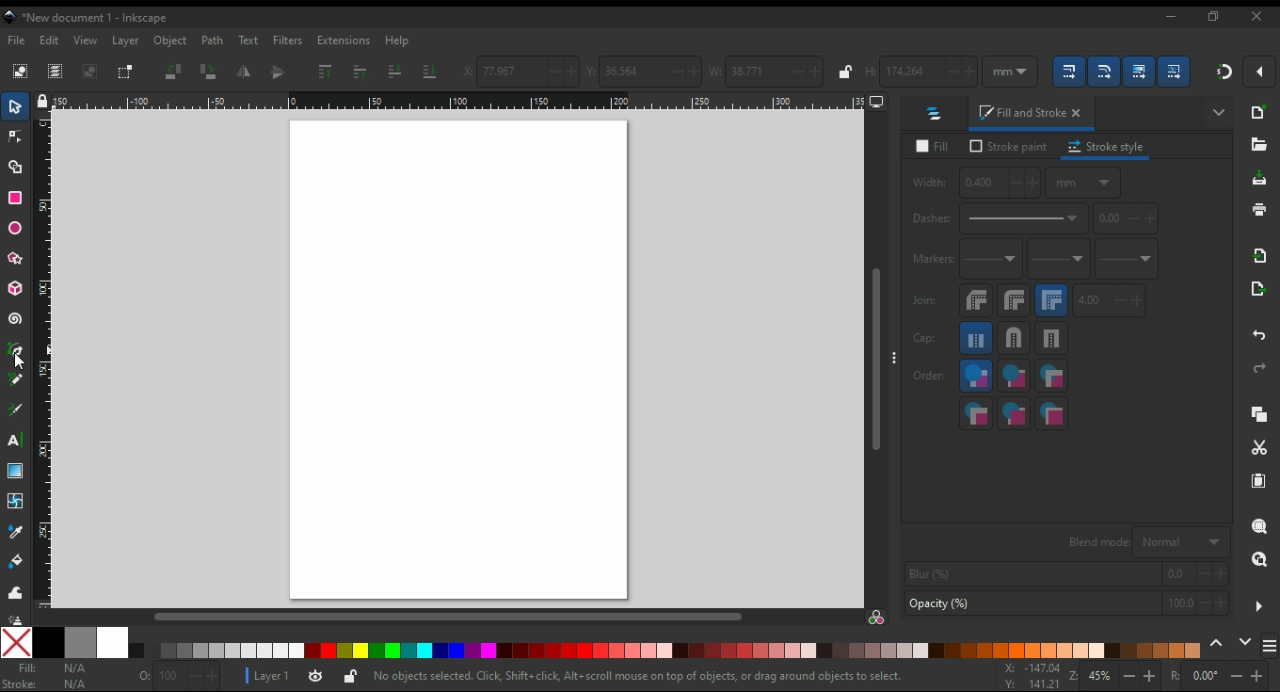 This screenshot has height=692, width=1280. I want to click on redo, so click(1262, 368).